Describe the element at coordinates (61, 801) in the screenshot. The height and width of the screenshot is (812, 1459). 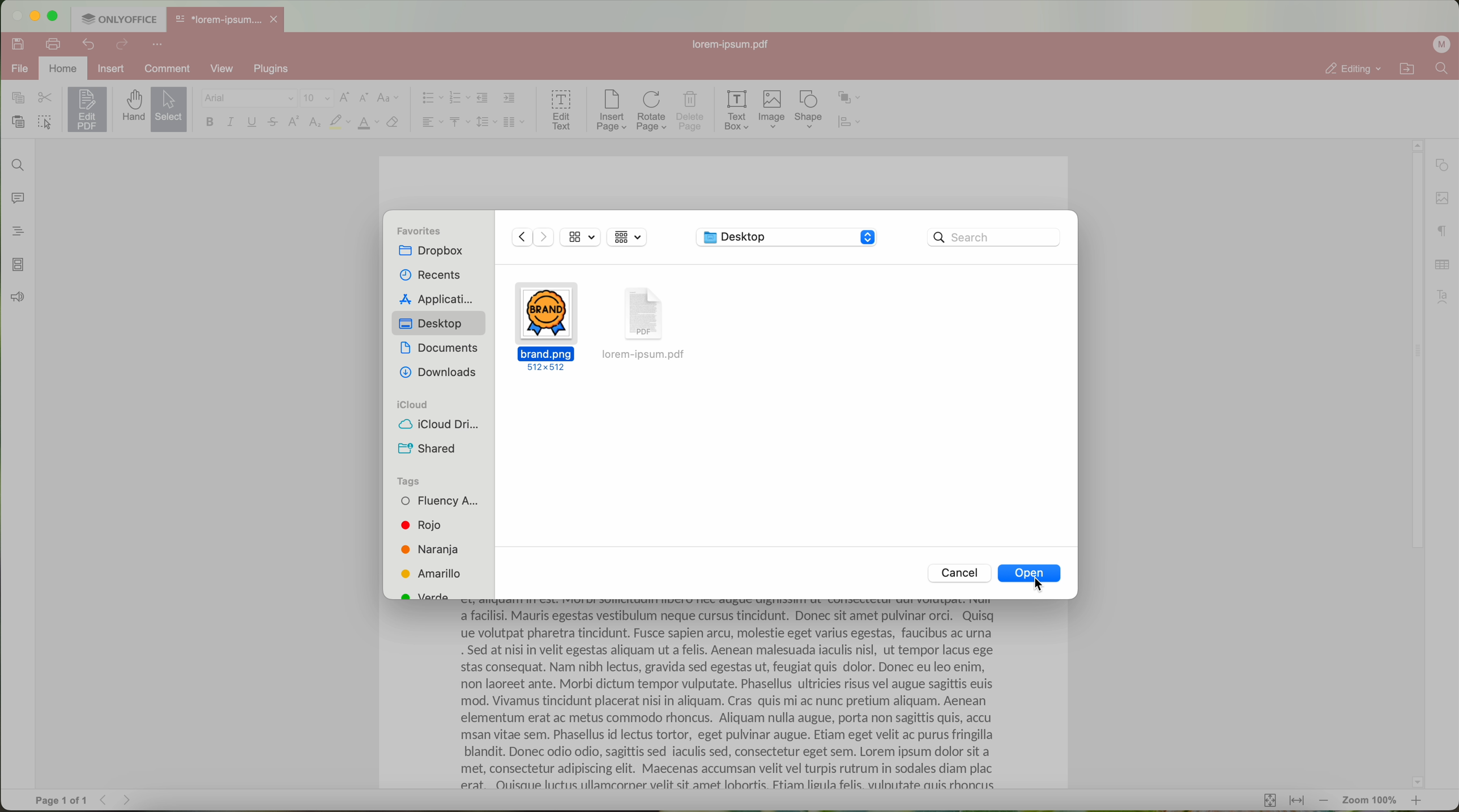
I see `page 1 of 1` at that location.